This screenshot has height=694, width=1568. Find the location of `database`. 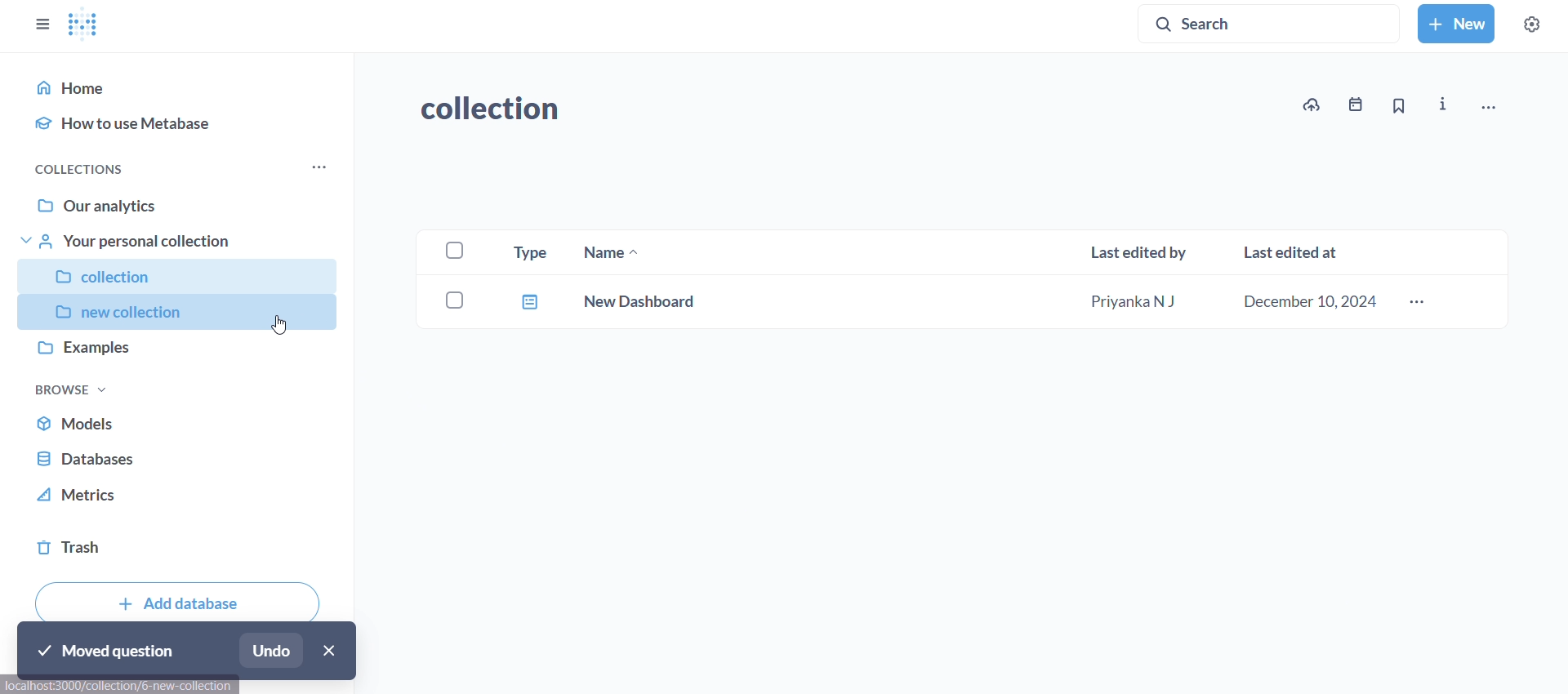

database is located at coordinates (182, 459).